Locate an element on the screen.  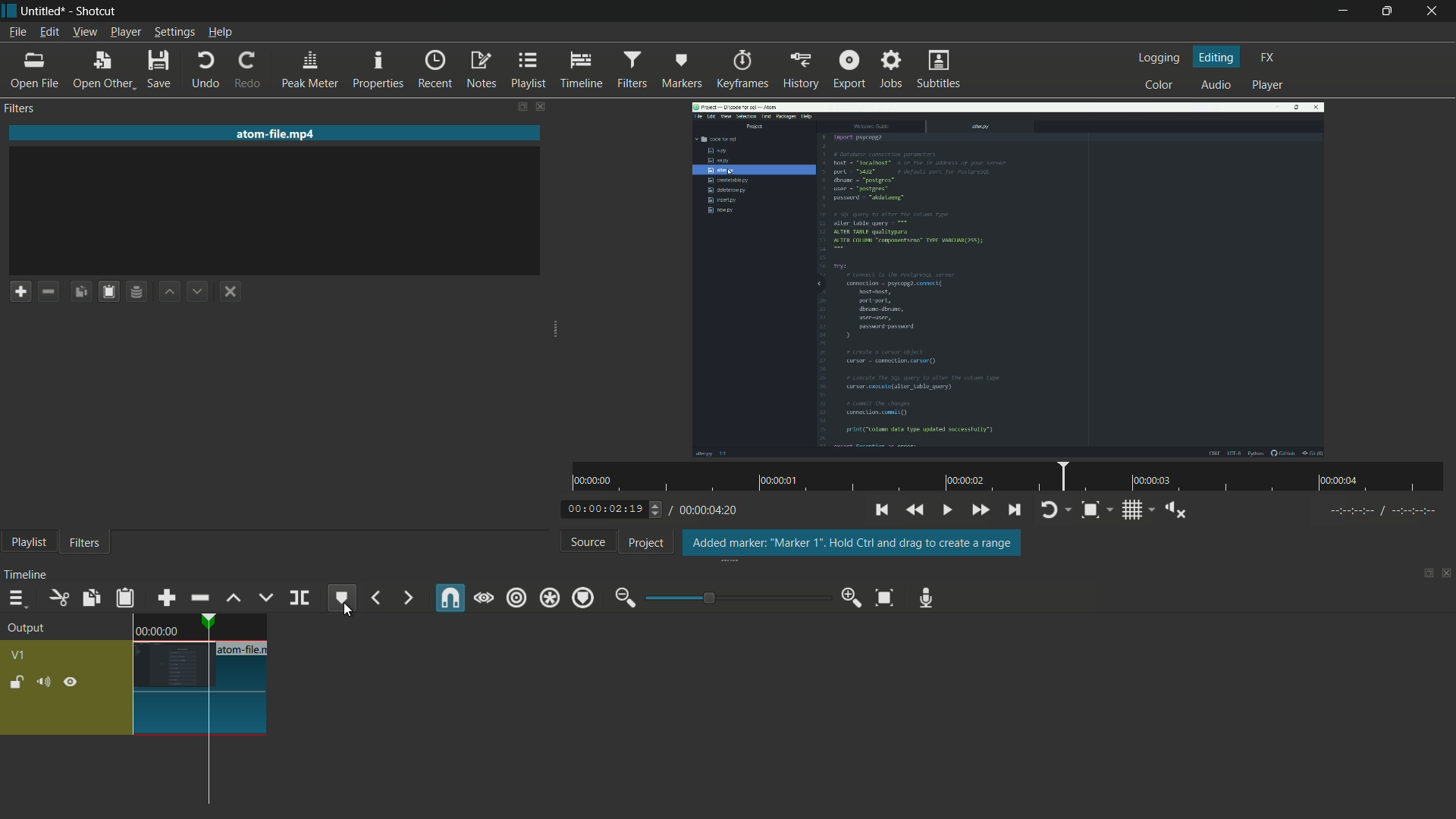
maximize is located at coordinates (1385, 11).